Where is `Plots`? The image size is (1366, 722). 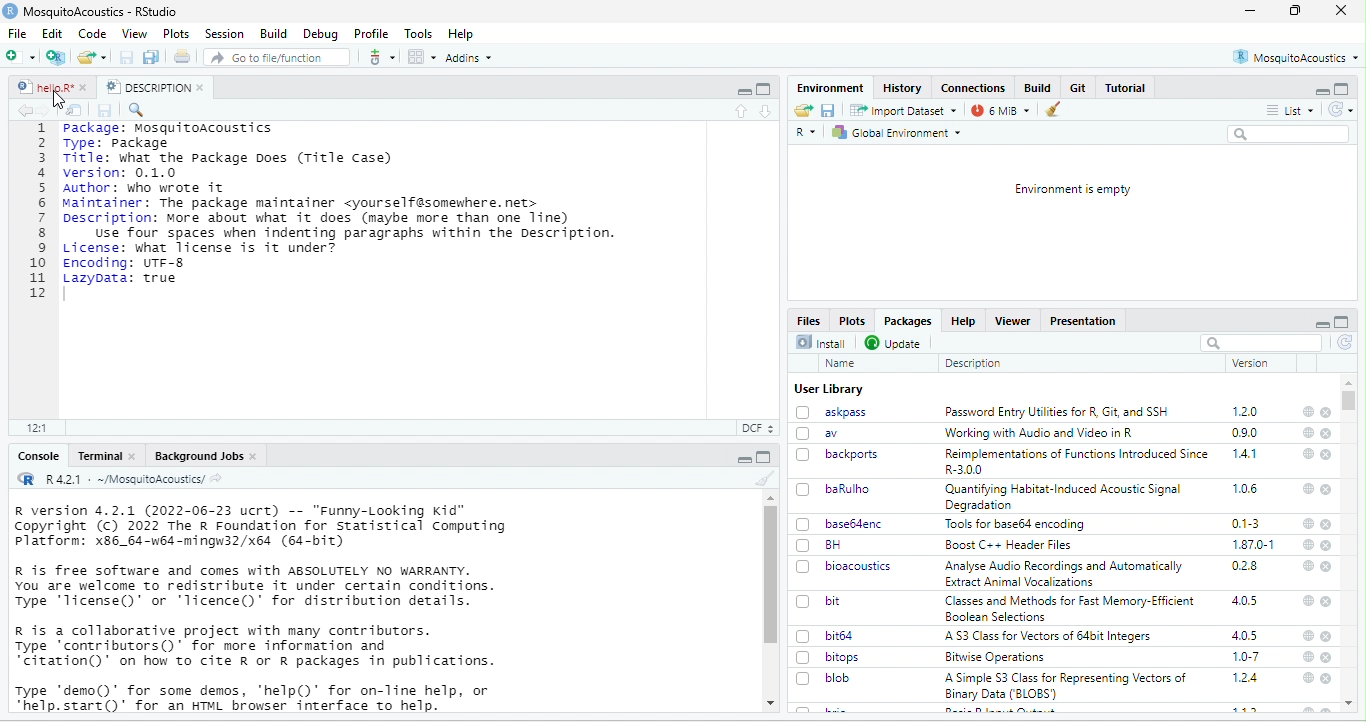 Plots is located at coordinates (176, 33).